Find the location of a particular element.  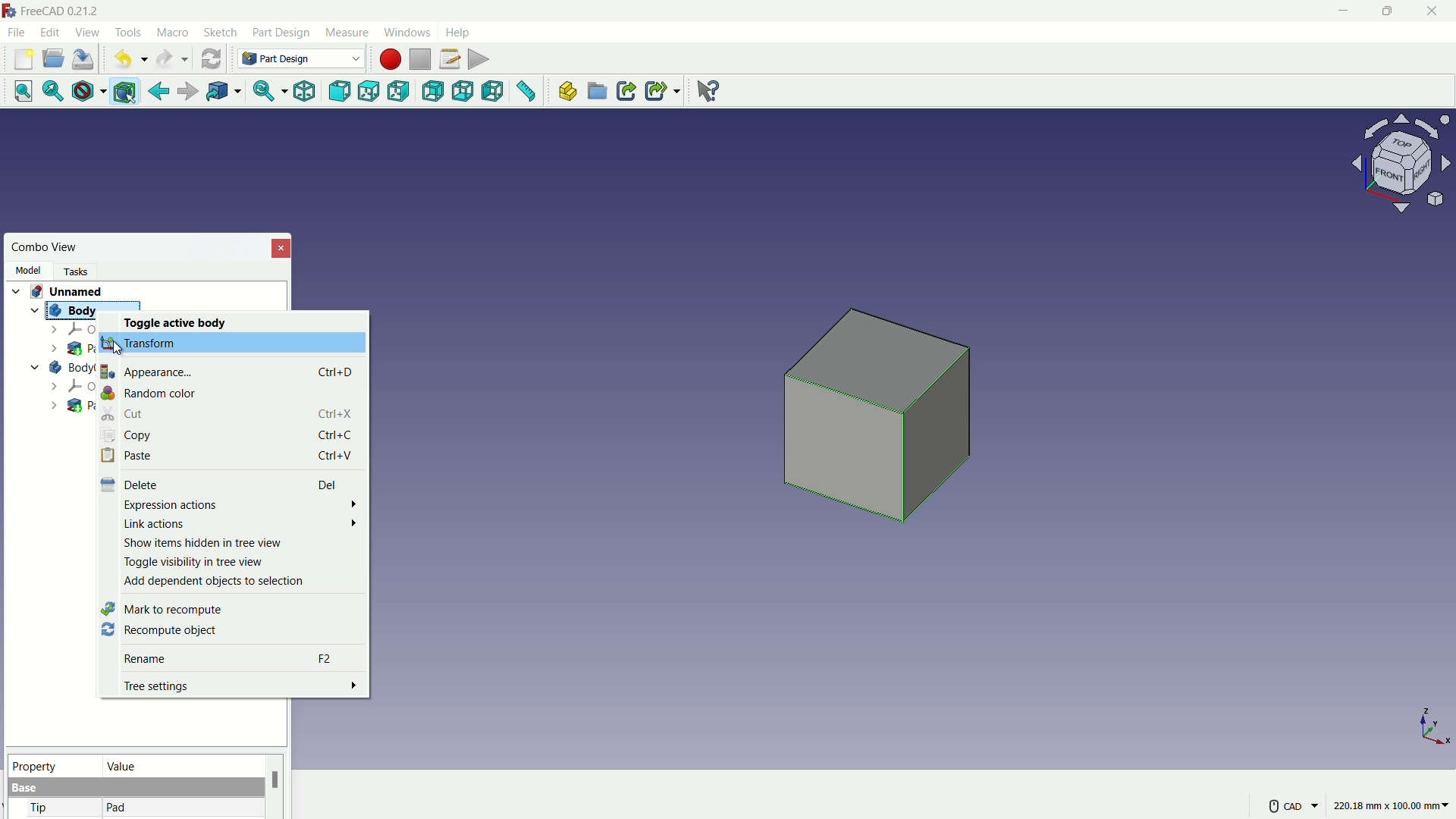

sketch is located at coordinates (221, 33).